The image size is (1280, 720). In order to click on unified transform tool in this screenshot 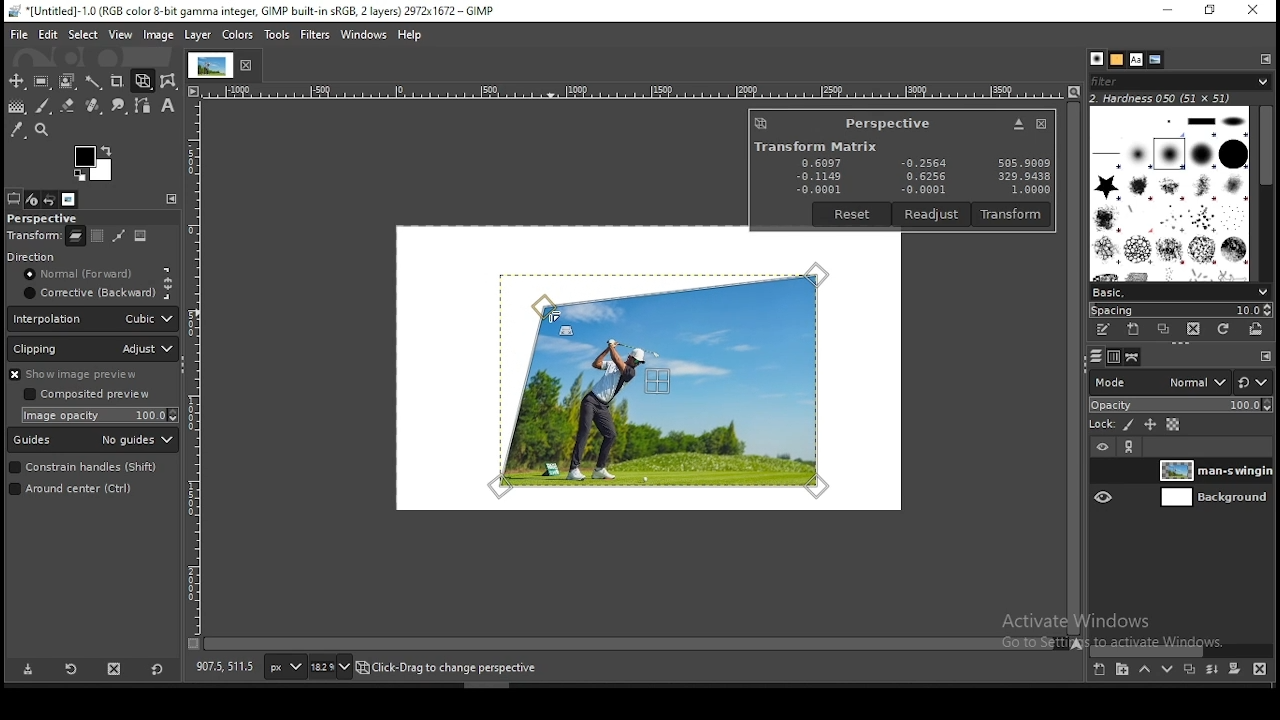, I will do `click(144, 81)`.